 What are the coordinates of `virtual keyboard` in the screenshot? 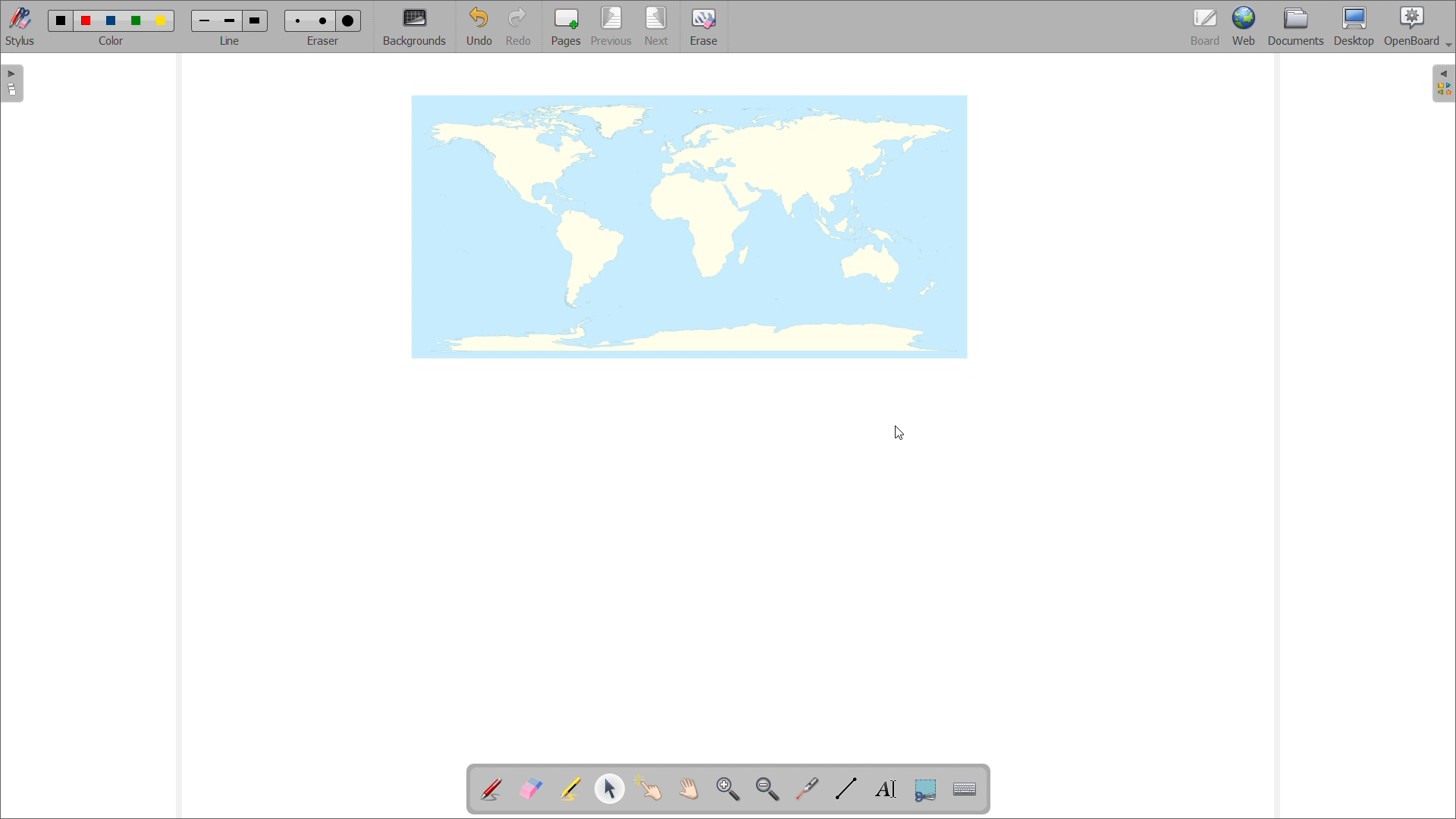 It's located at (965, 789).